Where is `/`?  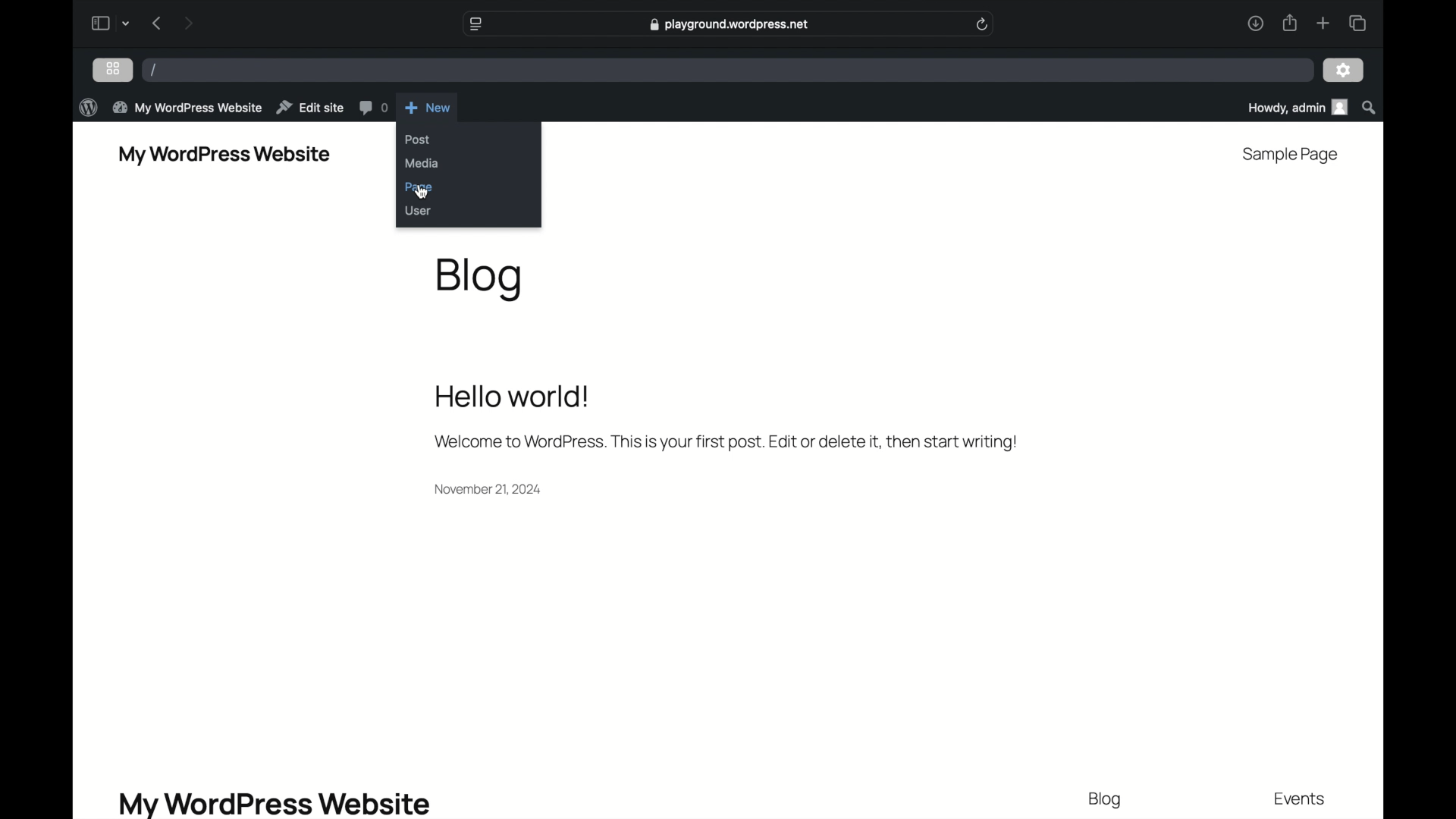 / is located at coordinates (155, 71).